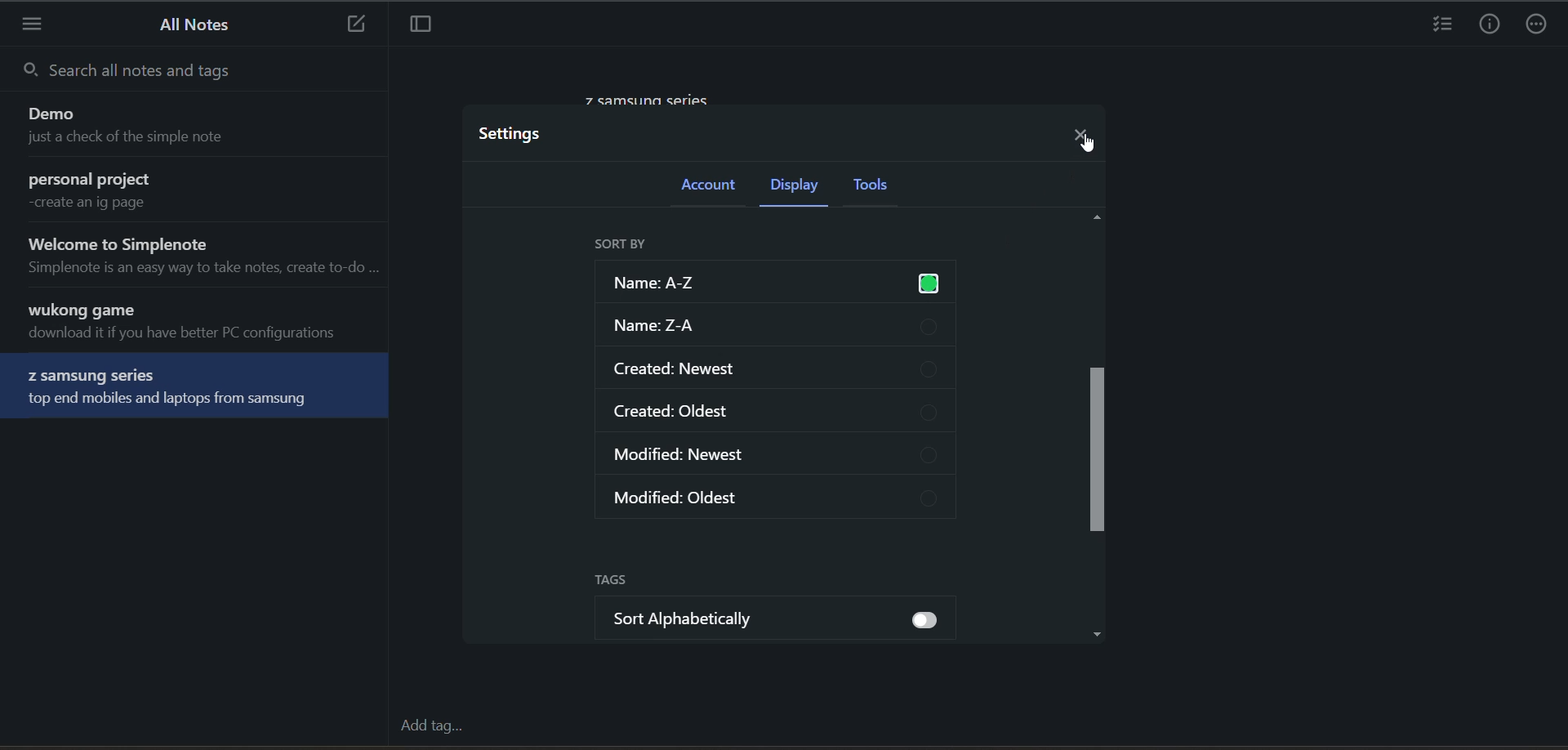  I want to click on created: oldest, so click(782, 415).